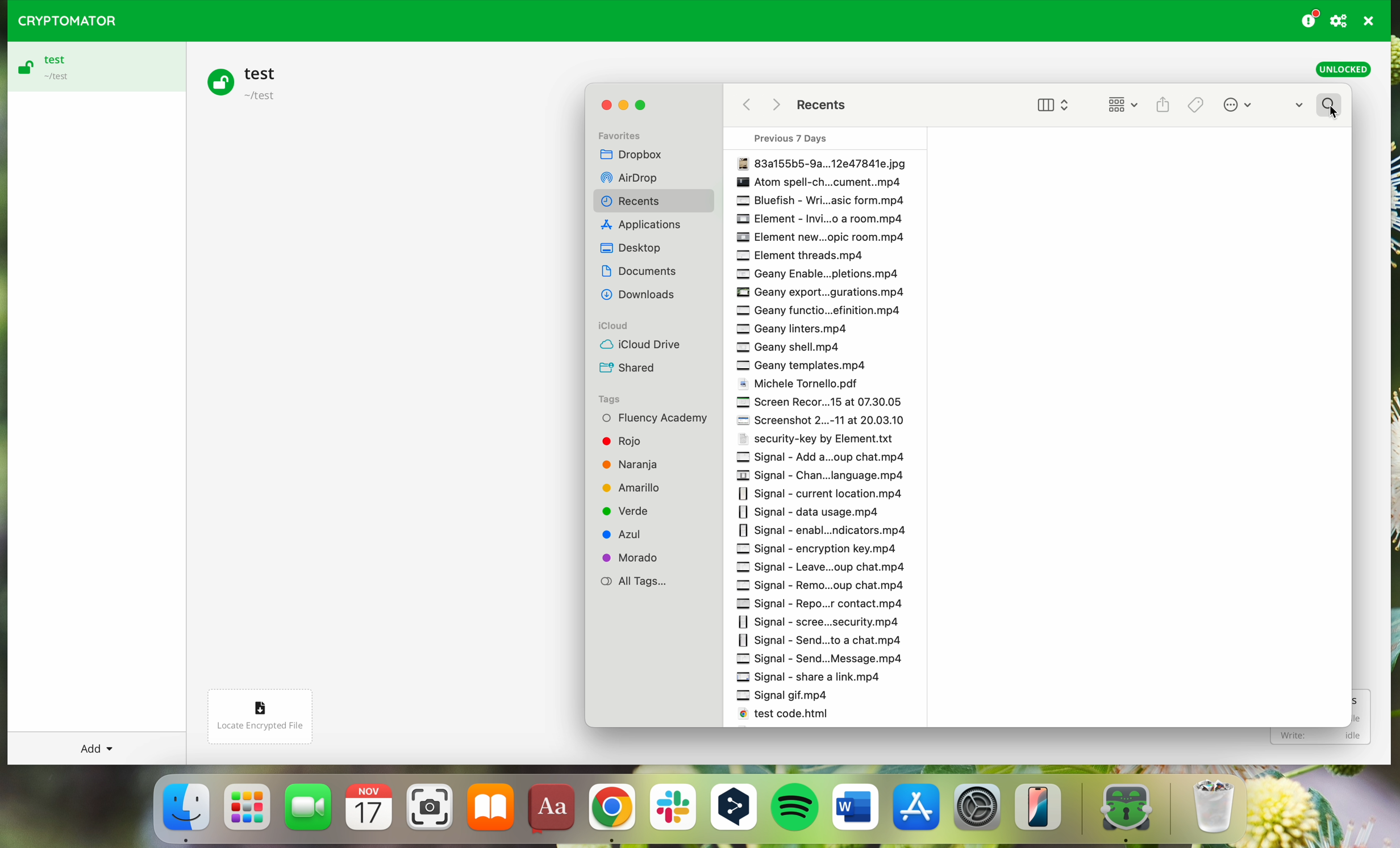 This screenshot has width=1400, height=848. I want to click on Geany interest, so click(797, 329).